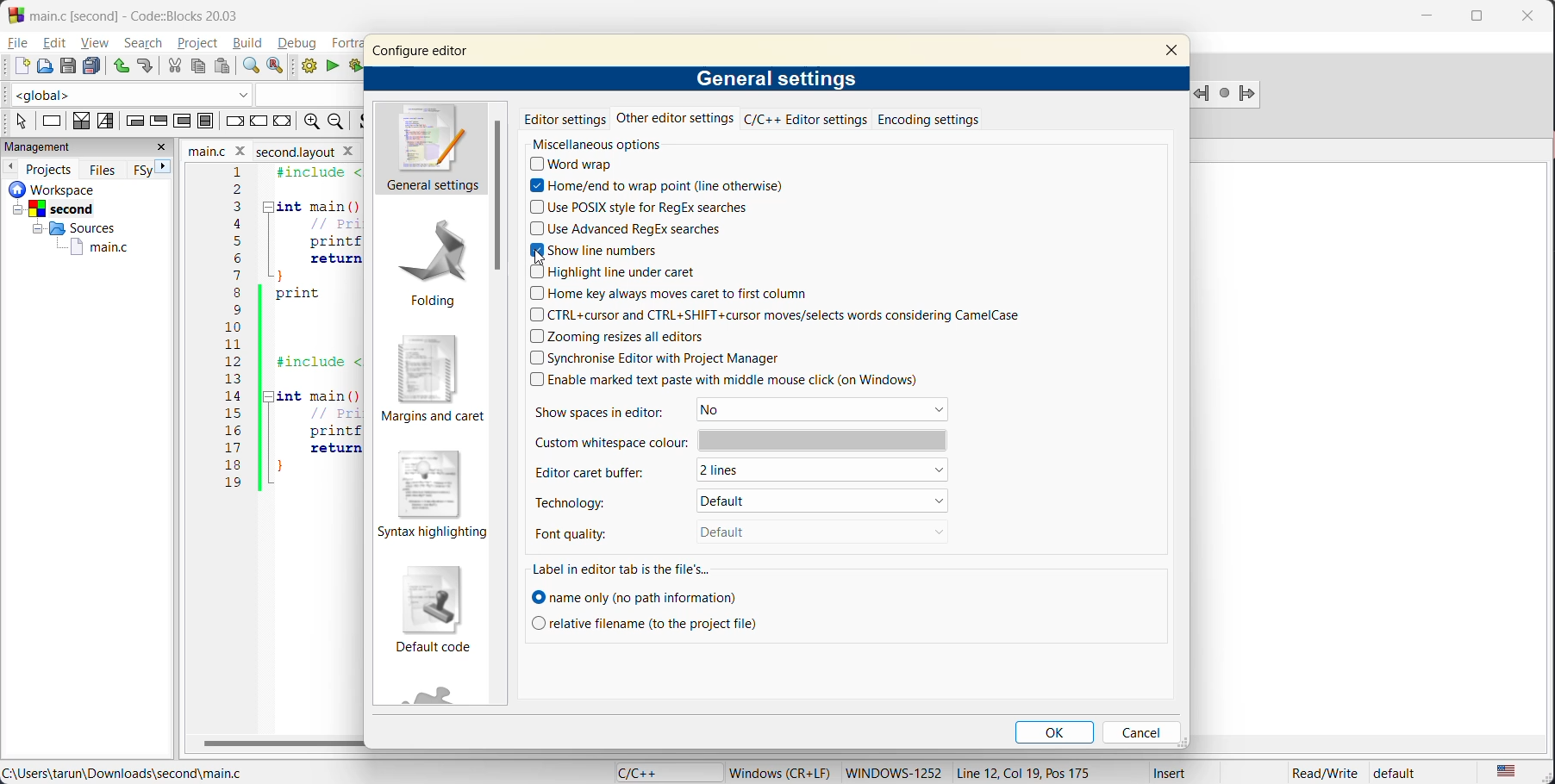  I want to click on return instruction, so click(283, 121).